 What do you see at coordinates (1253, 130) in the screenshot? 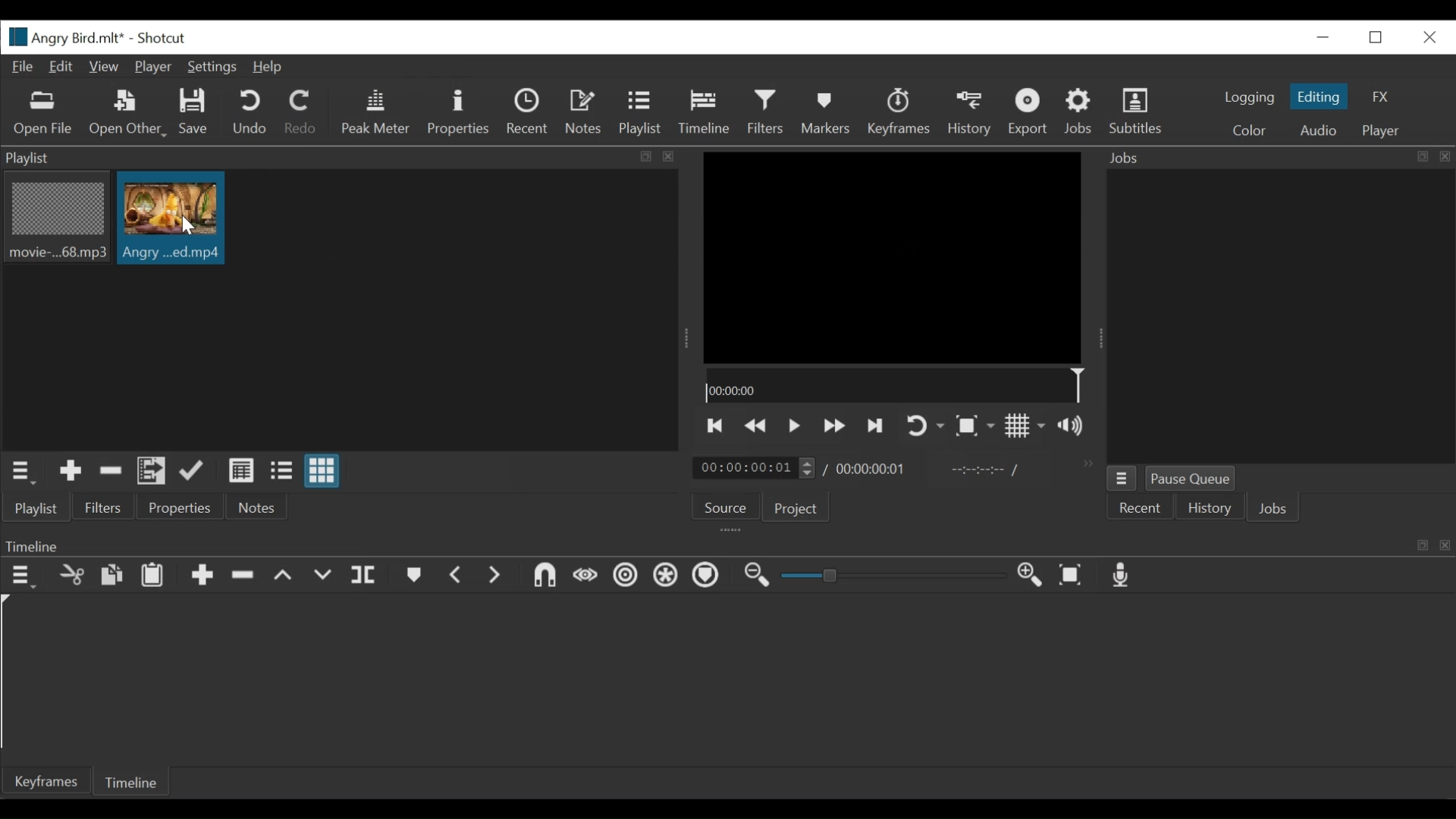
I see `Color` at bounding box center [1253, 130].